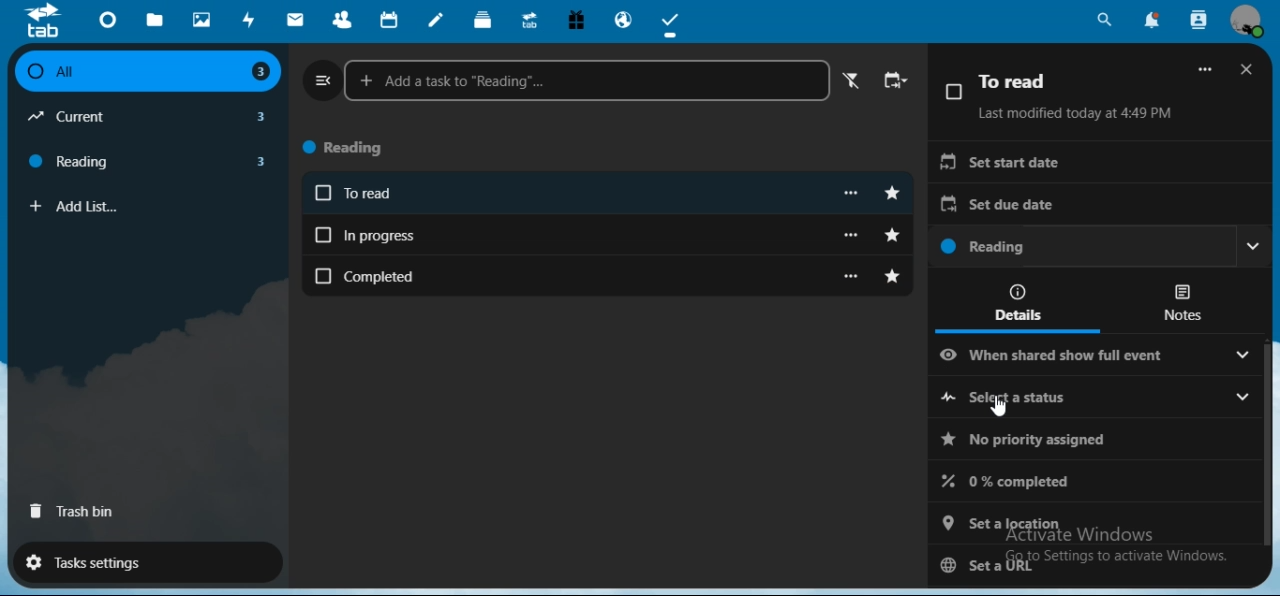  I want to click on more, so click(854, 233).